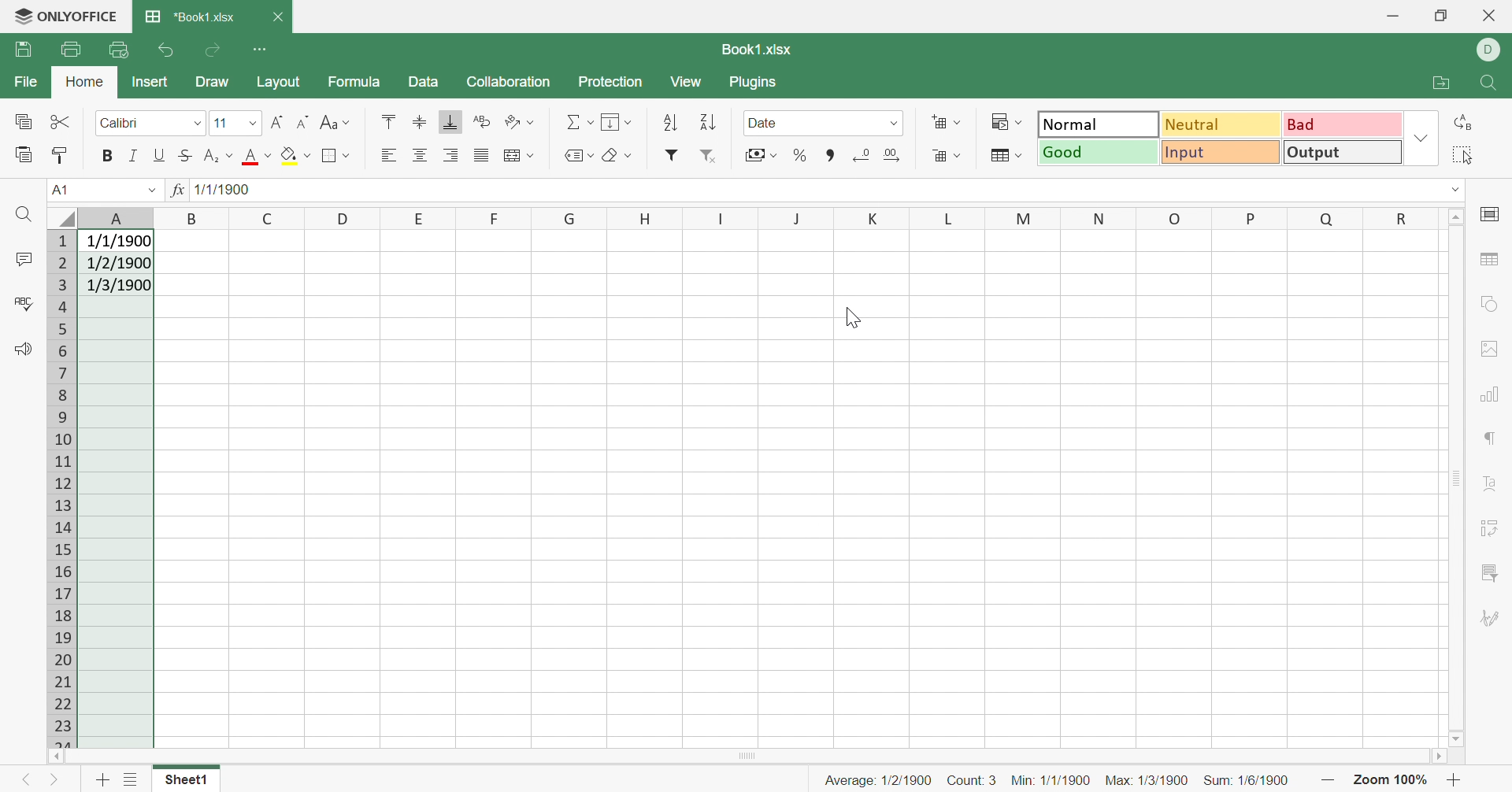 This screenshot has height=792, width=1512. What do you see at coordinates (829, 156) in the screenshot?
I see `Comma style` at bounding box center [829, 156].